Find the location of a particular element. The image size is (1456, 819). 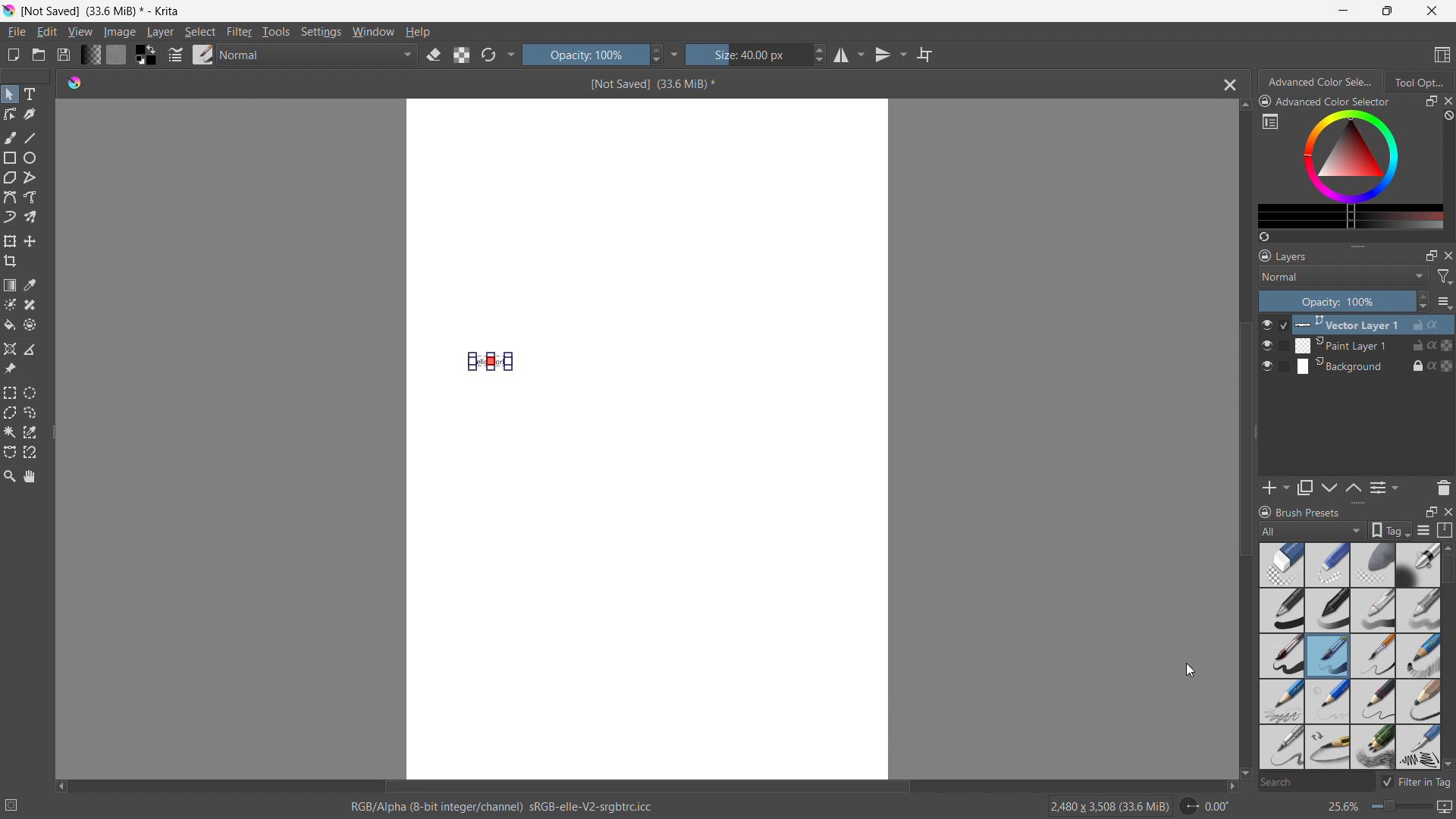

bold pen is located at coordinates (1281, 611).